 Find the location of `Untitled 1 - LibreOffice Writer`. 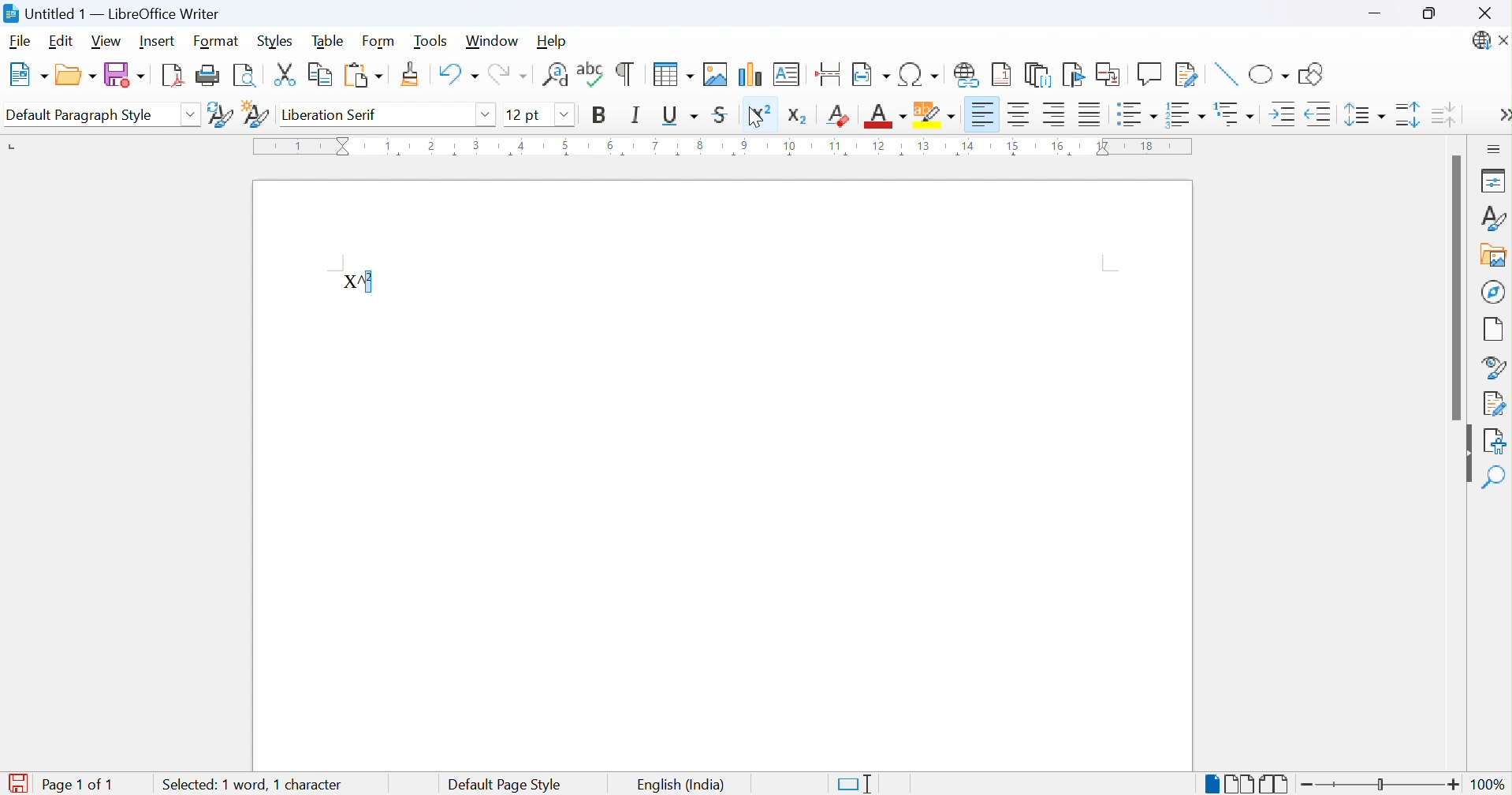

Untitled 1 - LibreOffice Writer is located at coordinates (114, 13).